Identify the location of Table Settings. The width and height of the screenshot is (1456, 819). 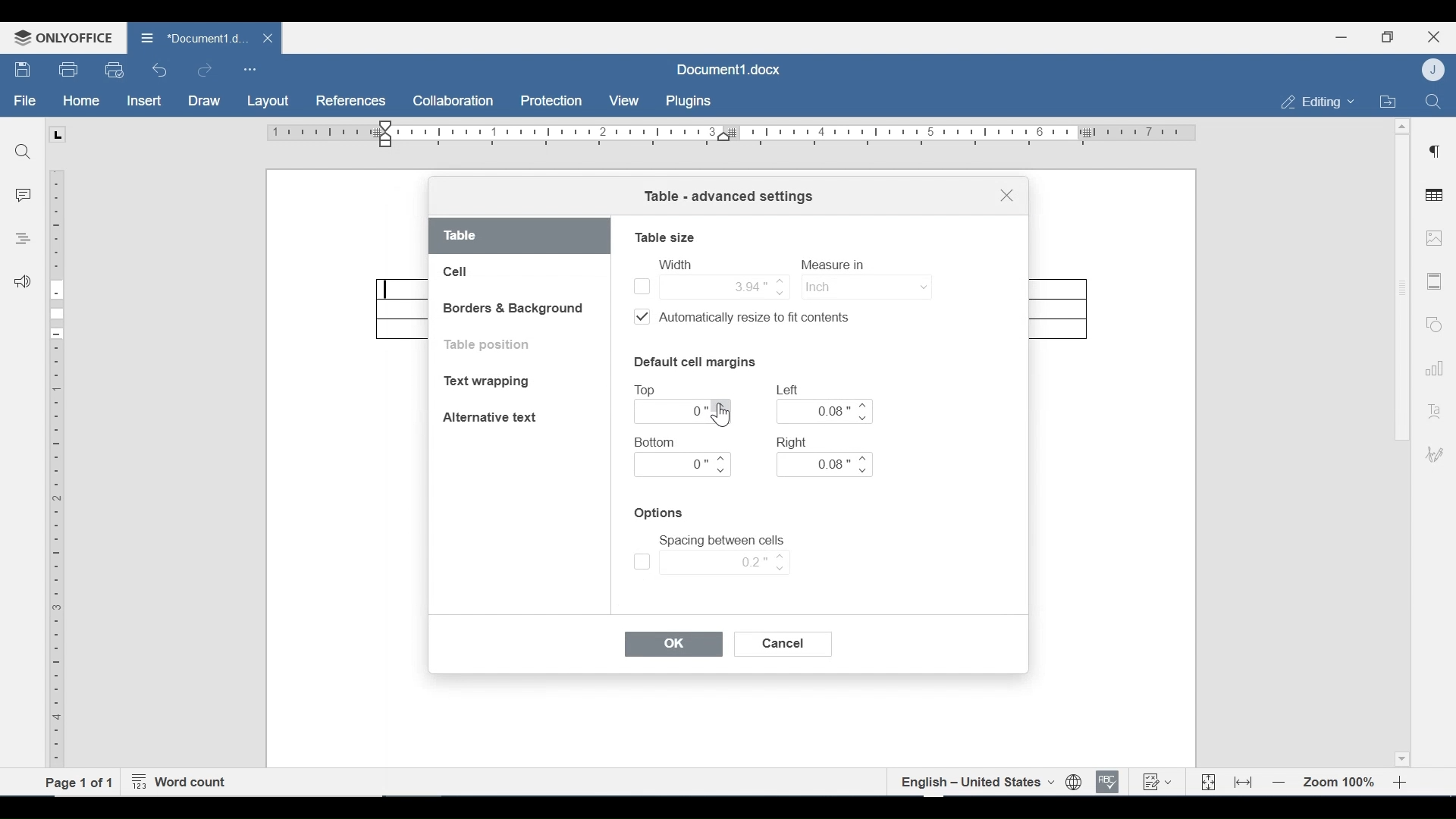
(1435, 196).